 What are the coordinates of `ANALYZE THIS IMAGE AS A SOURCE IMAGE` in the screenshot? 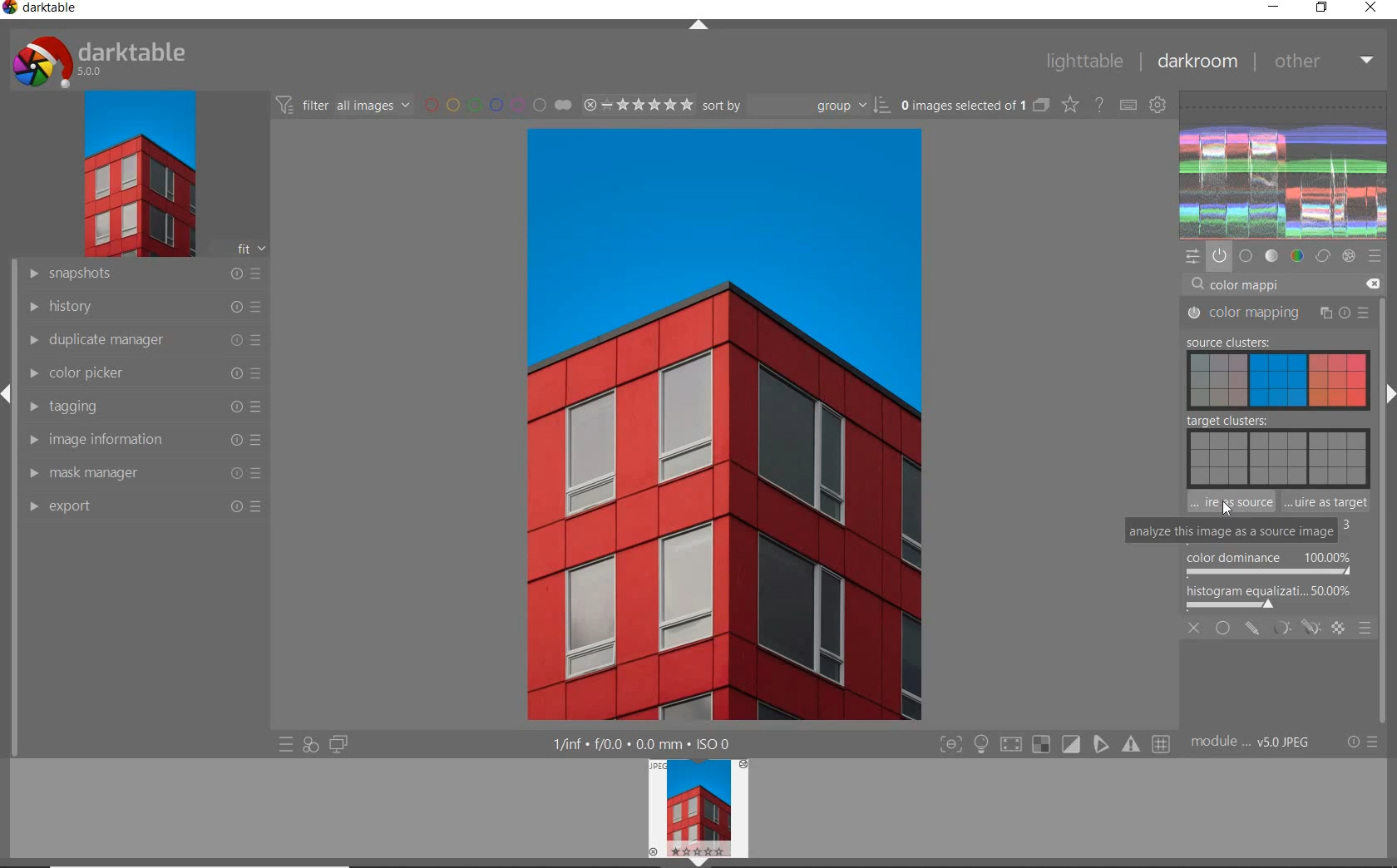 It's located at (1229, 502).